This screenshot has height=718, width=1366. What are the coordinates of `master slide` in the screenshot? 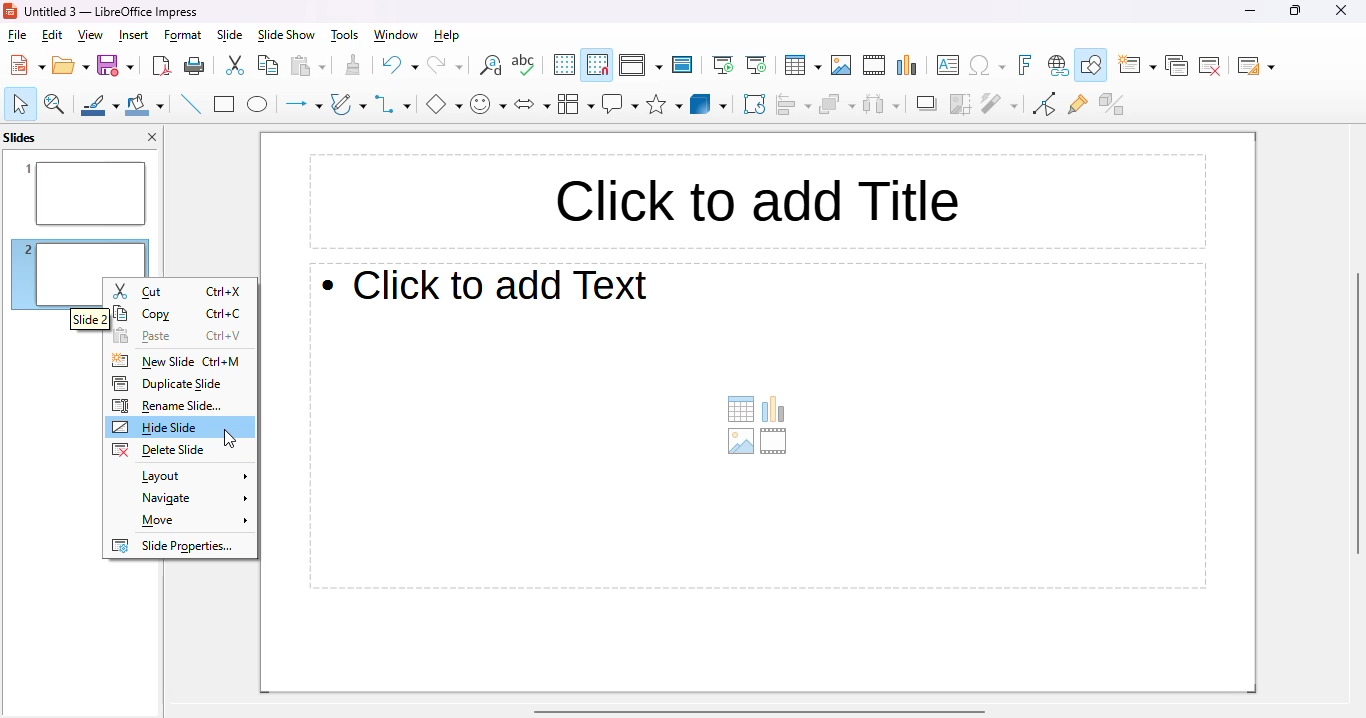 It's located at (682, 65).